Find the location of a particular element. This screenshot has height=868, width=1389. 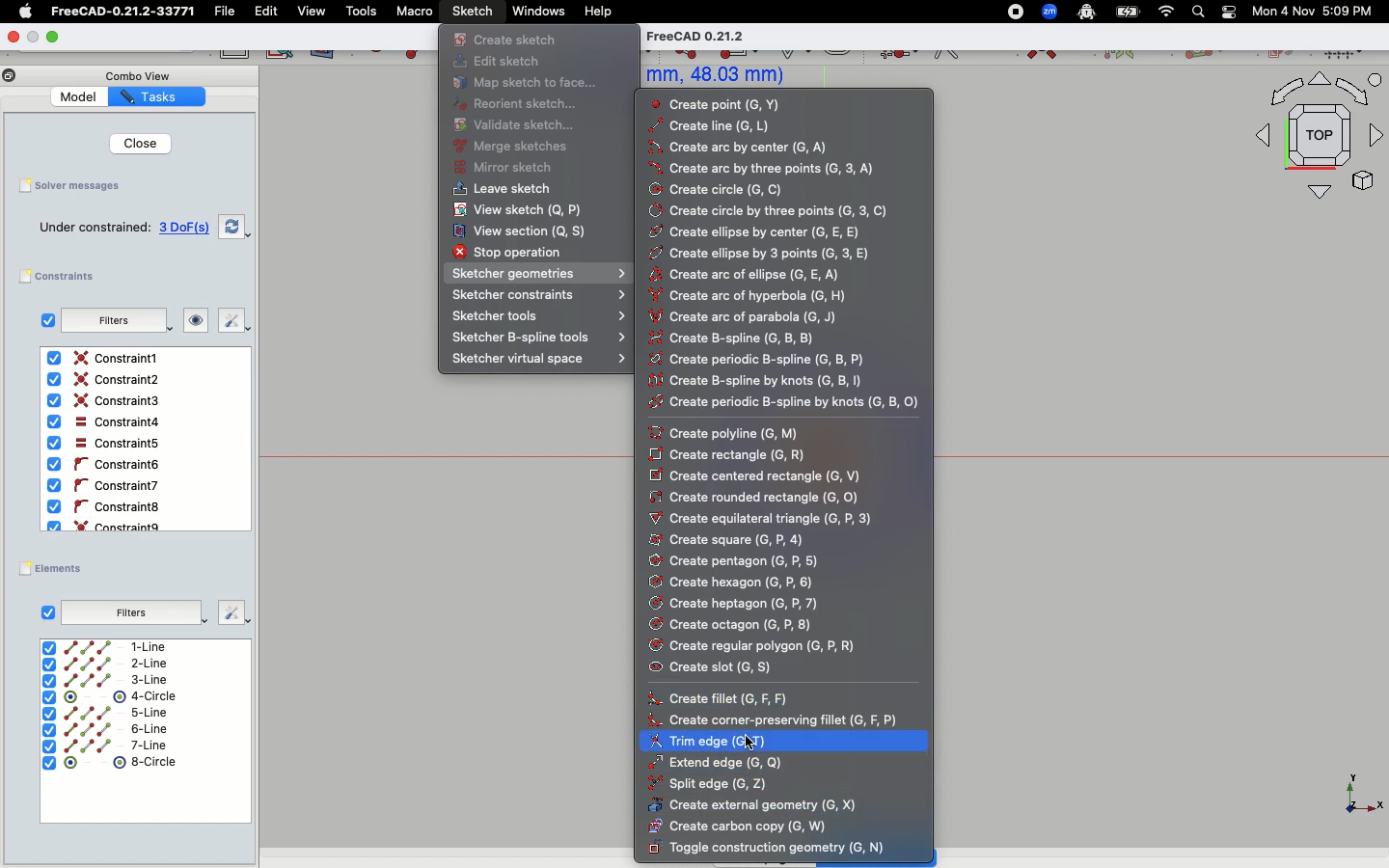

Sketcher constraints is located at coordinates (537, 294).